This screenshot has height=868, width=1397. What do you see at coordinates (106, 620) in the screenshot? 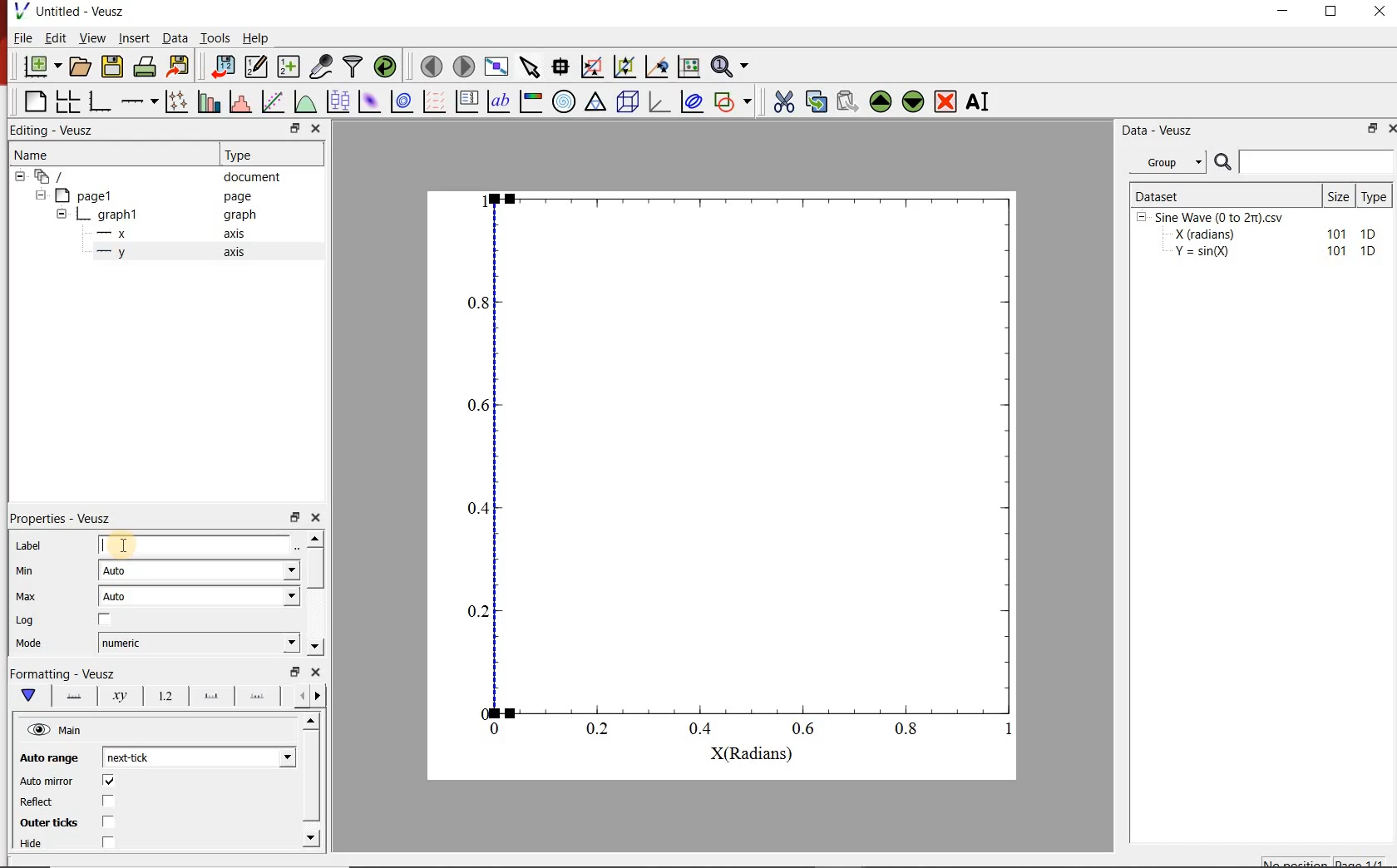
I see `Checkbox` at bounding box center [106, 620].